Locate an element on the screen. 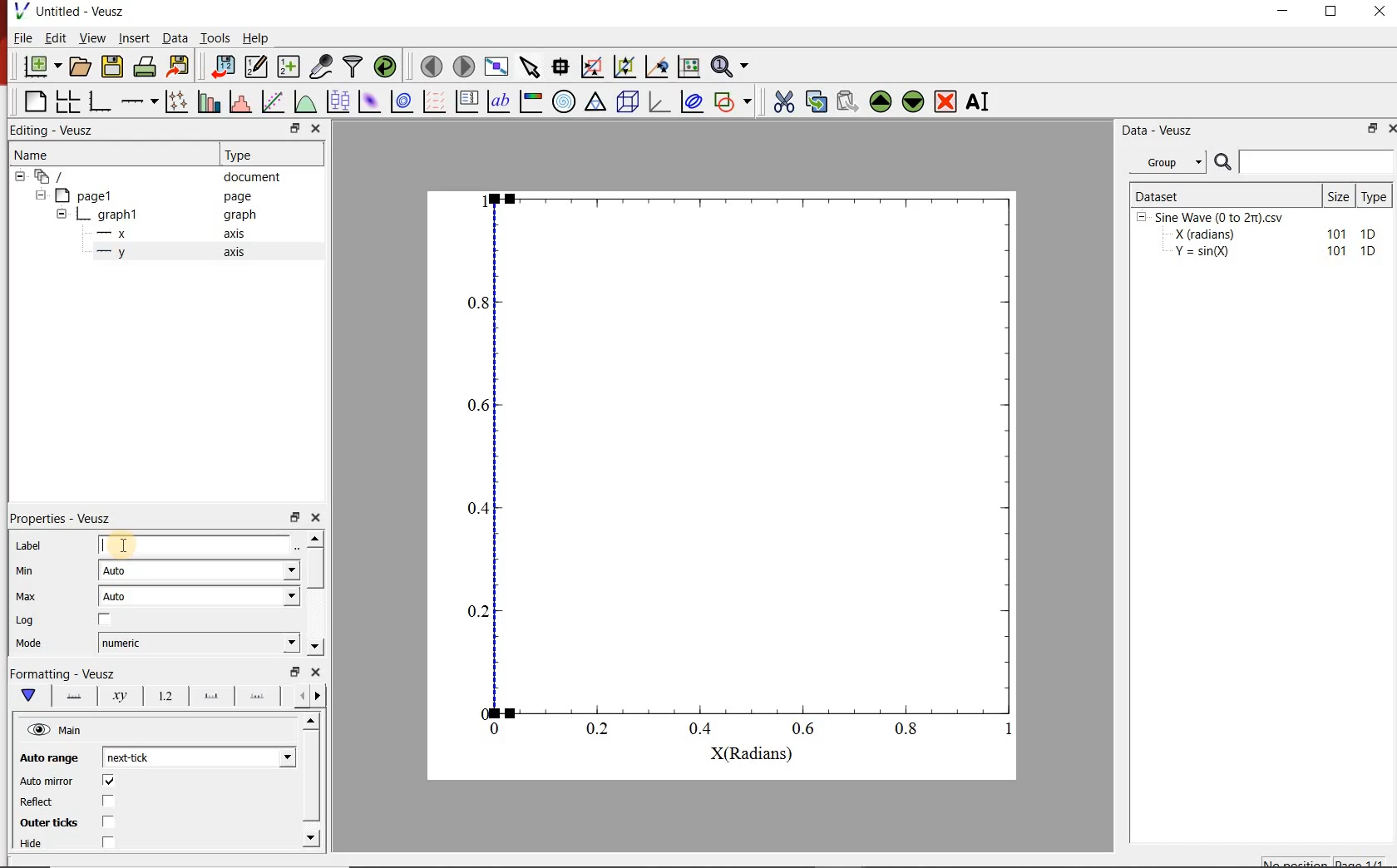 The width and height of the screenshot is (1397, 868). plot 2d dataset as contours is located at coordinates (402, 101).